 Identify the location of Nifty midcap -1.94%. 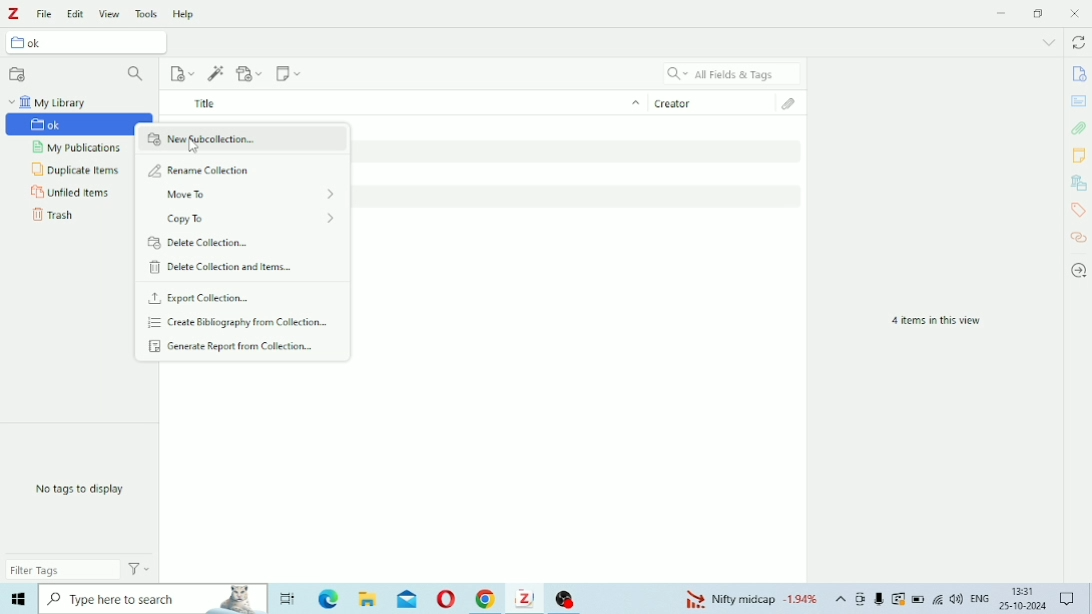
(749, 598).